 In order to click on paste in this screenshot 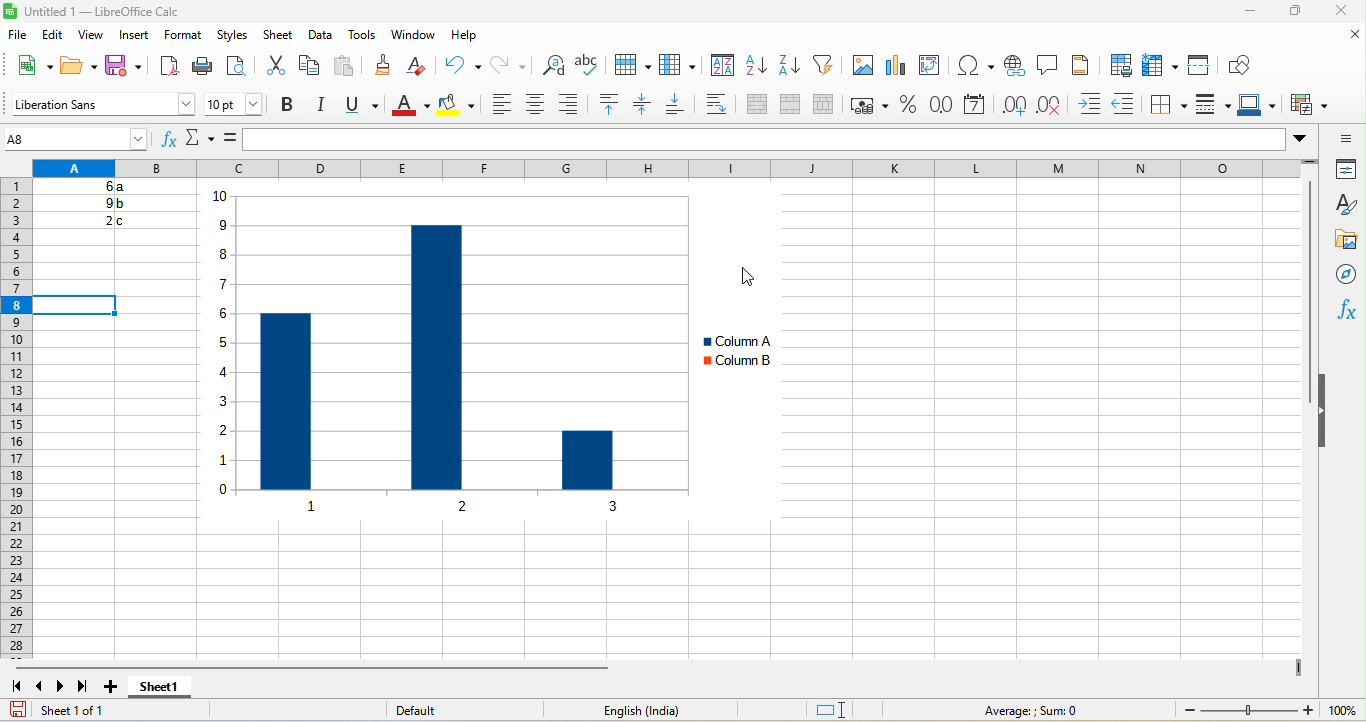, I will do `click(348, 69)`.